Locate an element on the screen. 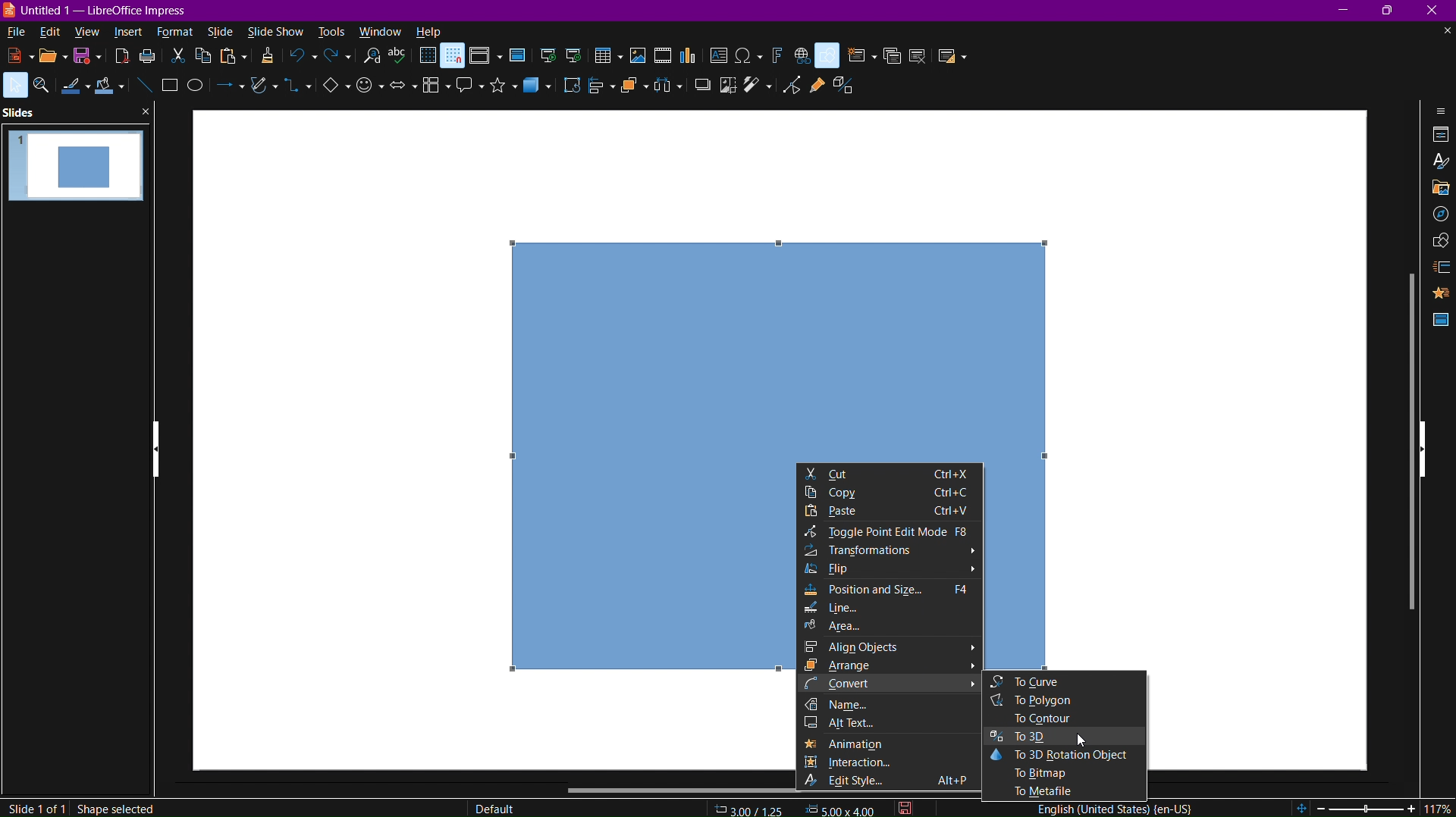 The height and width of the screenshot is (817, 1456). Callout Shapes is located at coordinates (466, 90).